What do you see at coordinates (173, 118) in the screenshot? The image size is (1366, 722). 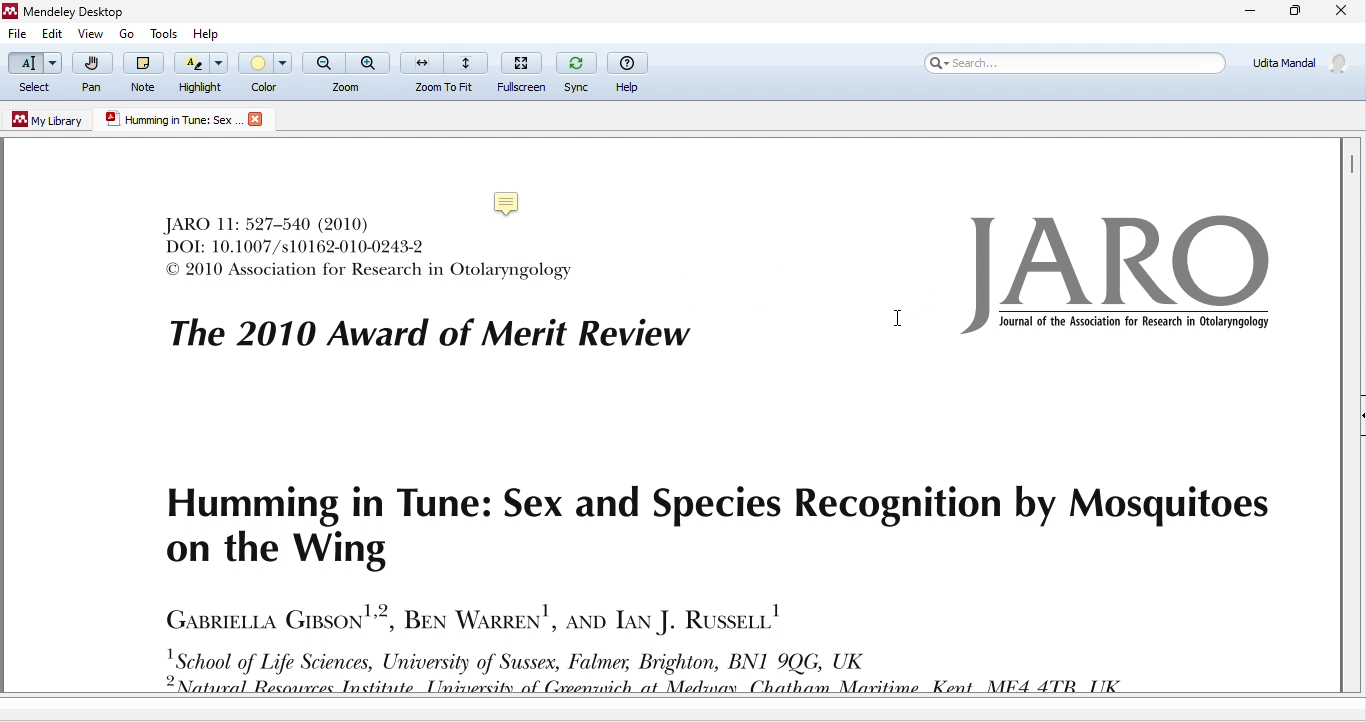 I see `humming in true.sex` at bounding box center [173, 118].